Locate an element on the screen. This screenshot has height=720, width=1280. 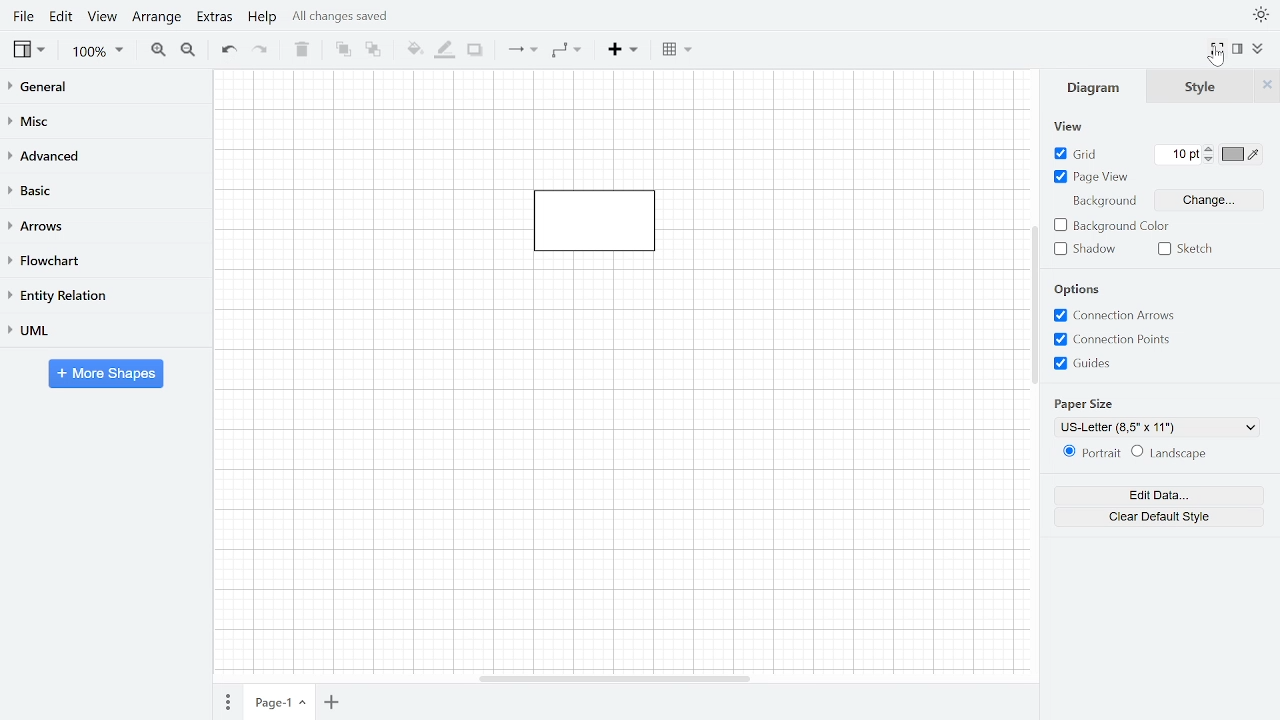
current page is located at coordinates (281, 702).